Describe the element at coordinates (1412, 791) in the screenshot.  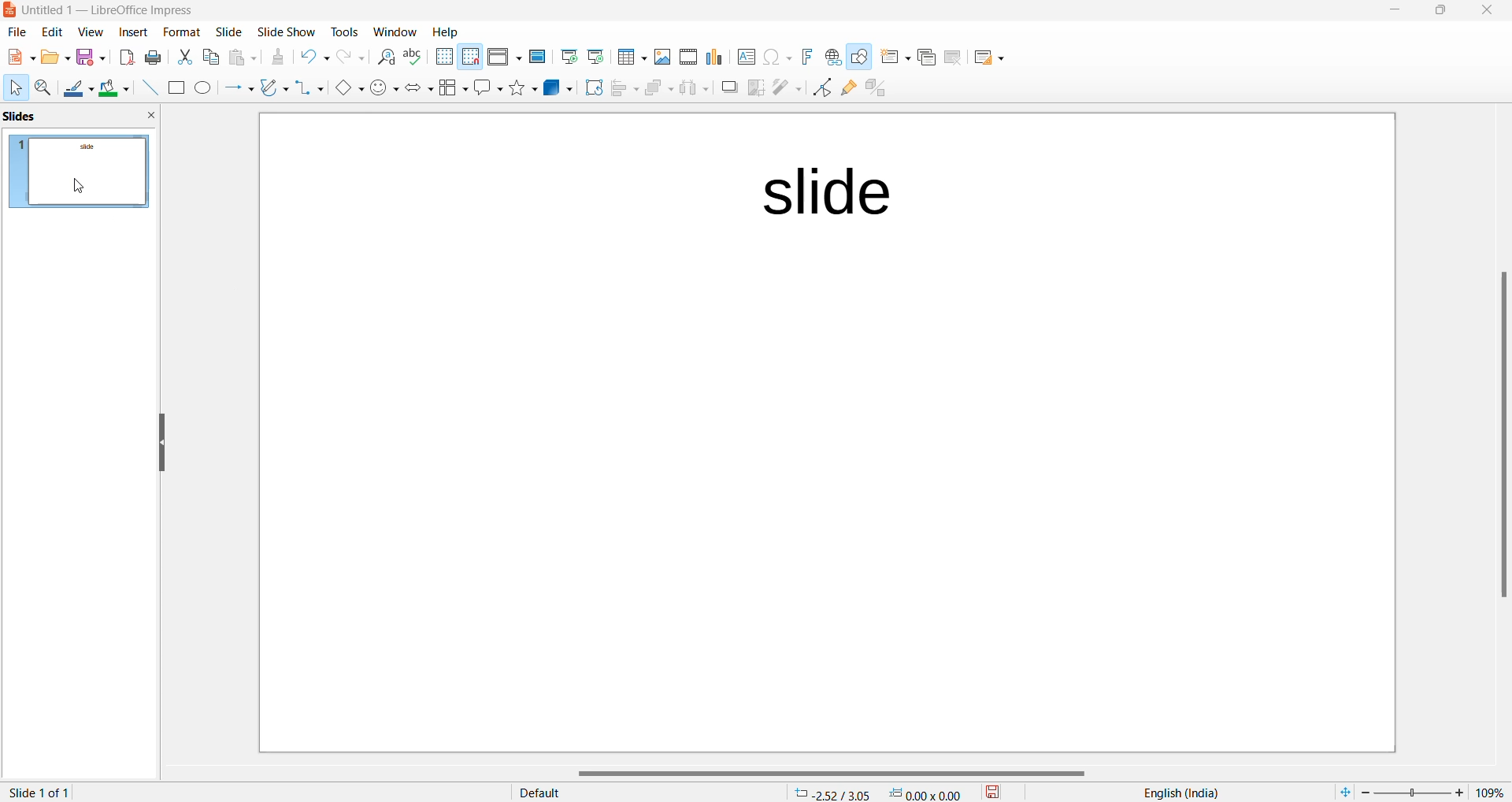
I see `zoom slider` at that location.